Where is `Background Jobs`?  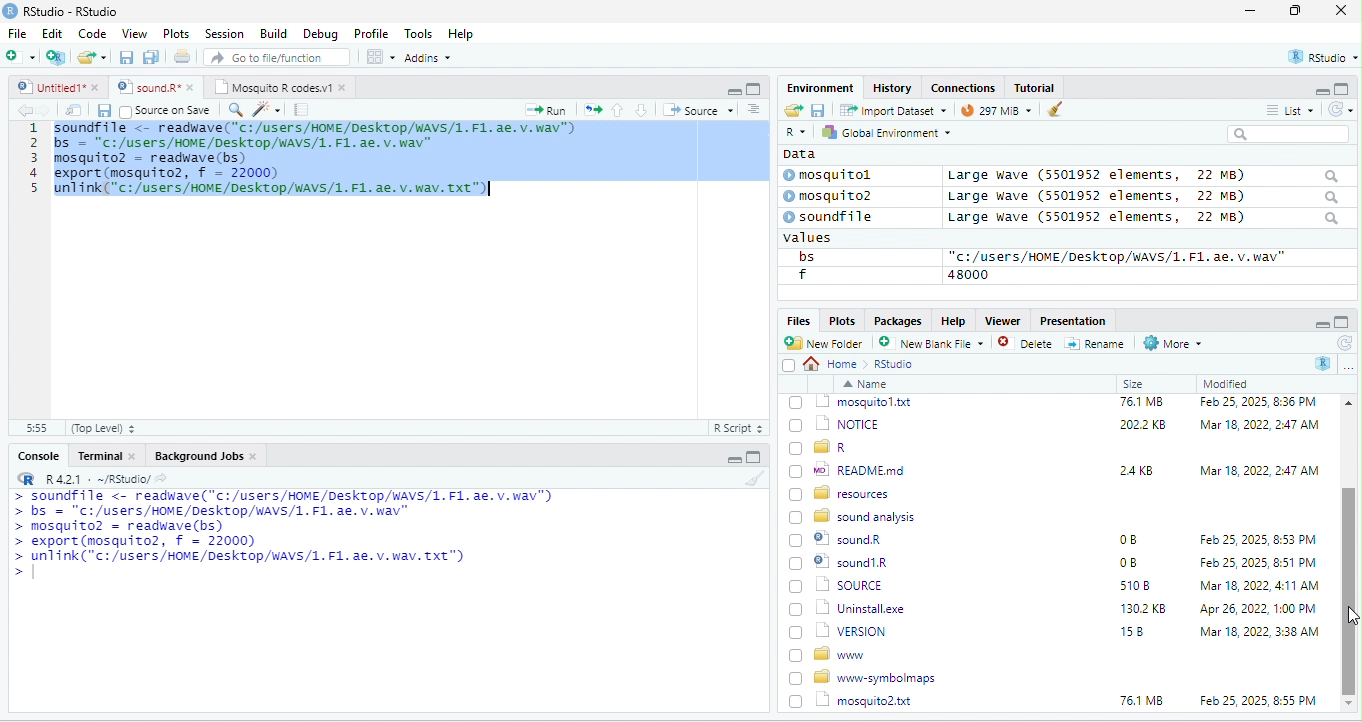 Background Jobs is located at coordinates (205, 455).